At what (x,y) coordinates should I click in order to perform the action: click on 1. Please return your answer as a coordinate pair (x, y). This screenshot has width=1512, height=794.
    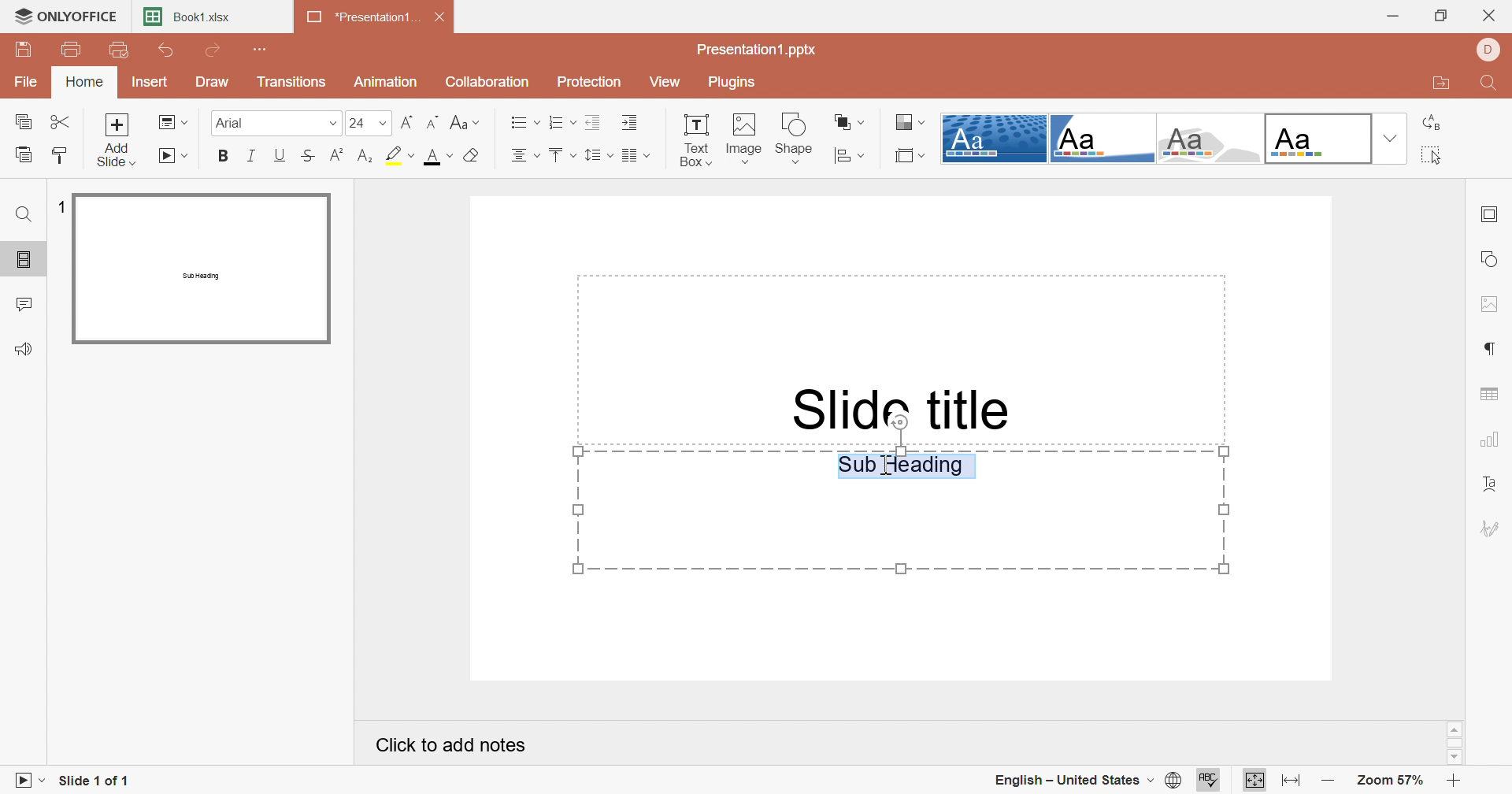
    Looking at the image, I should click on (61, 203).